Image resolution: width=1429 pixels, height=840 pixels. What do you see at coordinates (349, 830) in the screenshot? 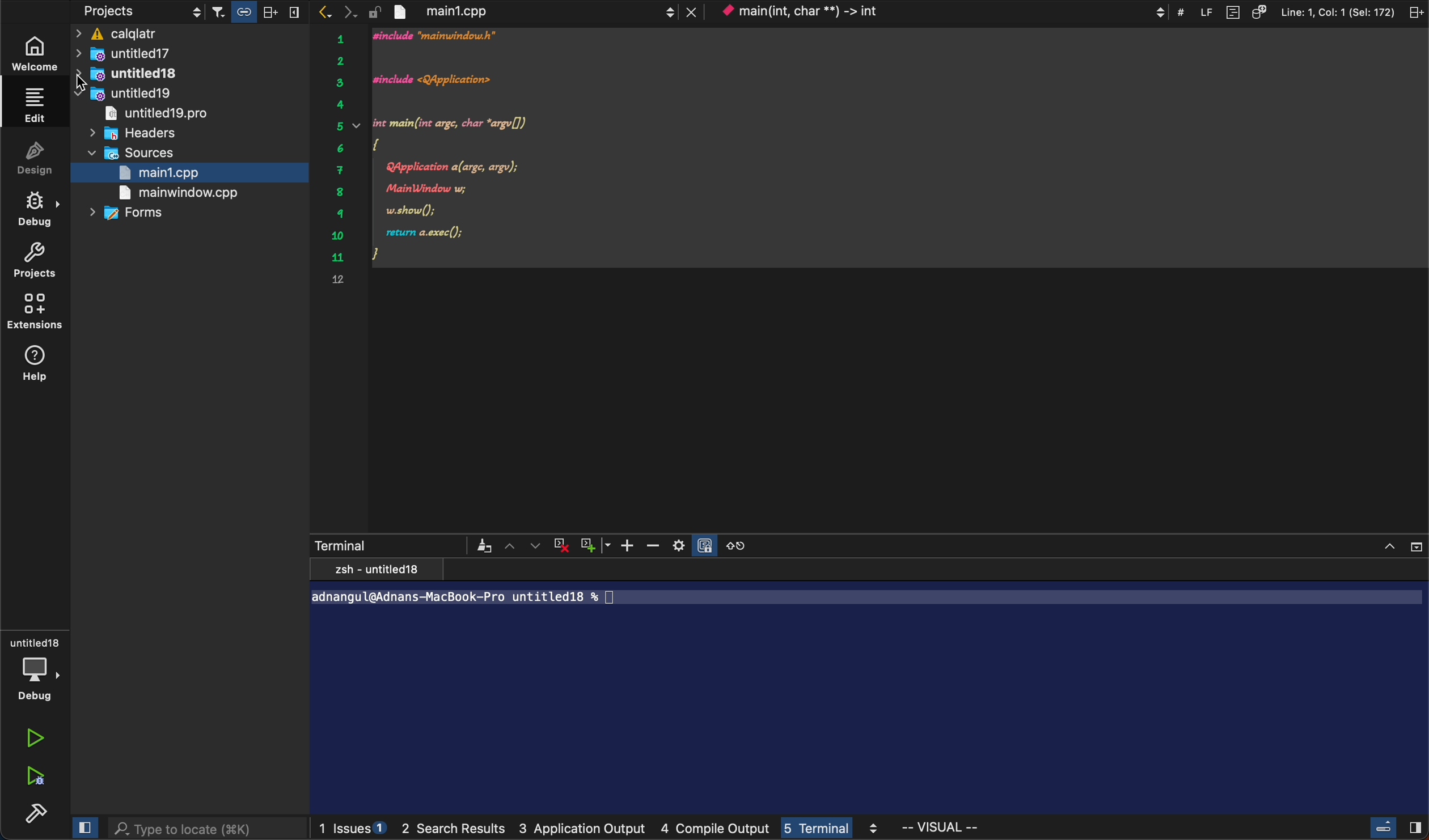
I see `issues` at bounding box center [349, 830].